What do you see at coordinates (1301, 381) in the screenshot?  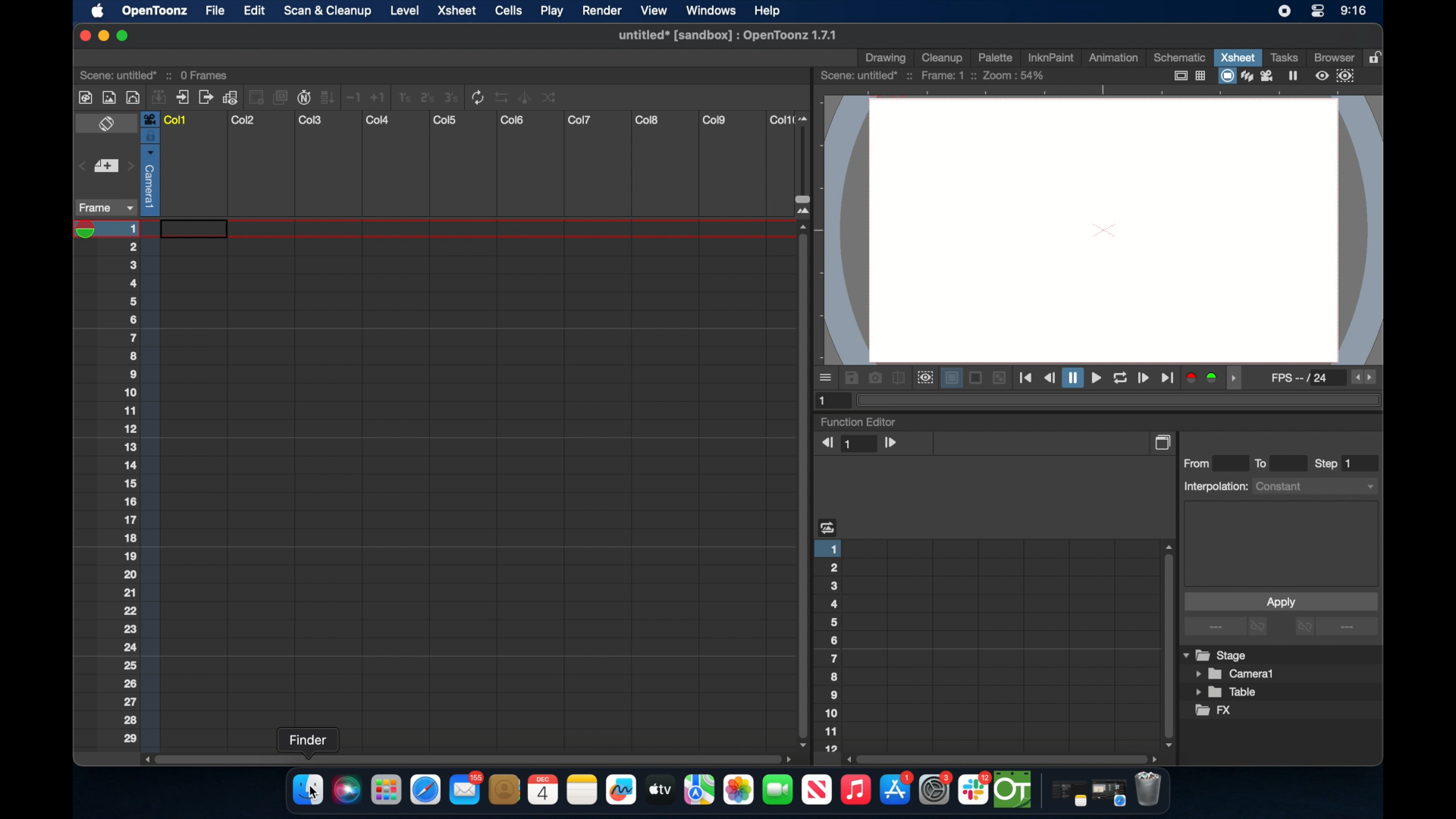 I see `fps` at bounding box center [1301, 381].